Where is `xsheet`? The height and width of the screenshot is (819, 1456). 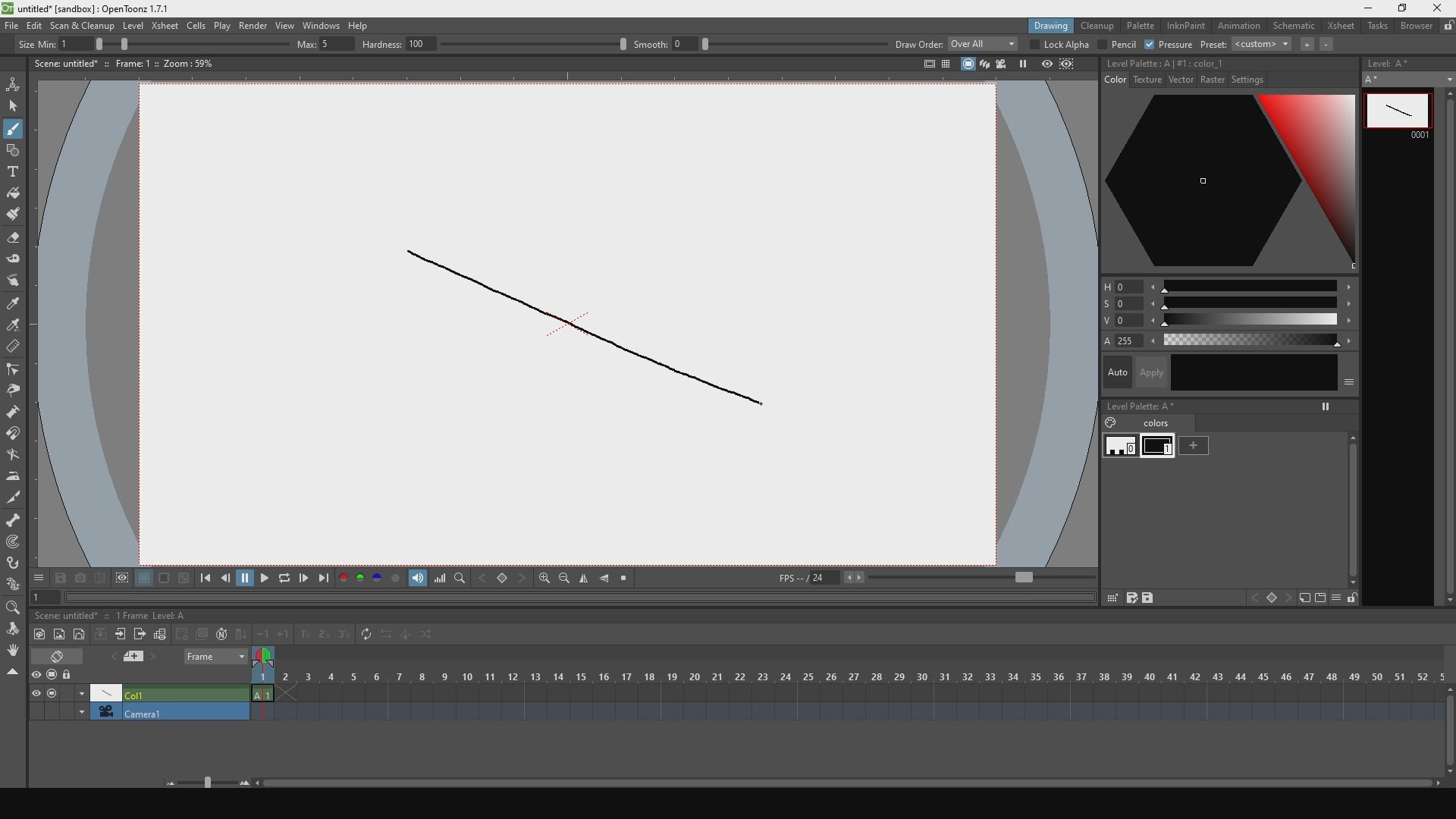
xsheet is located at coordinates (165, 25).